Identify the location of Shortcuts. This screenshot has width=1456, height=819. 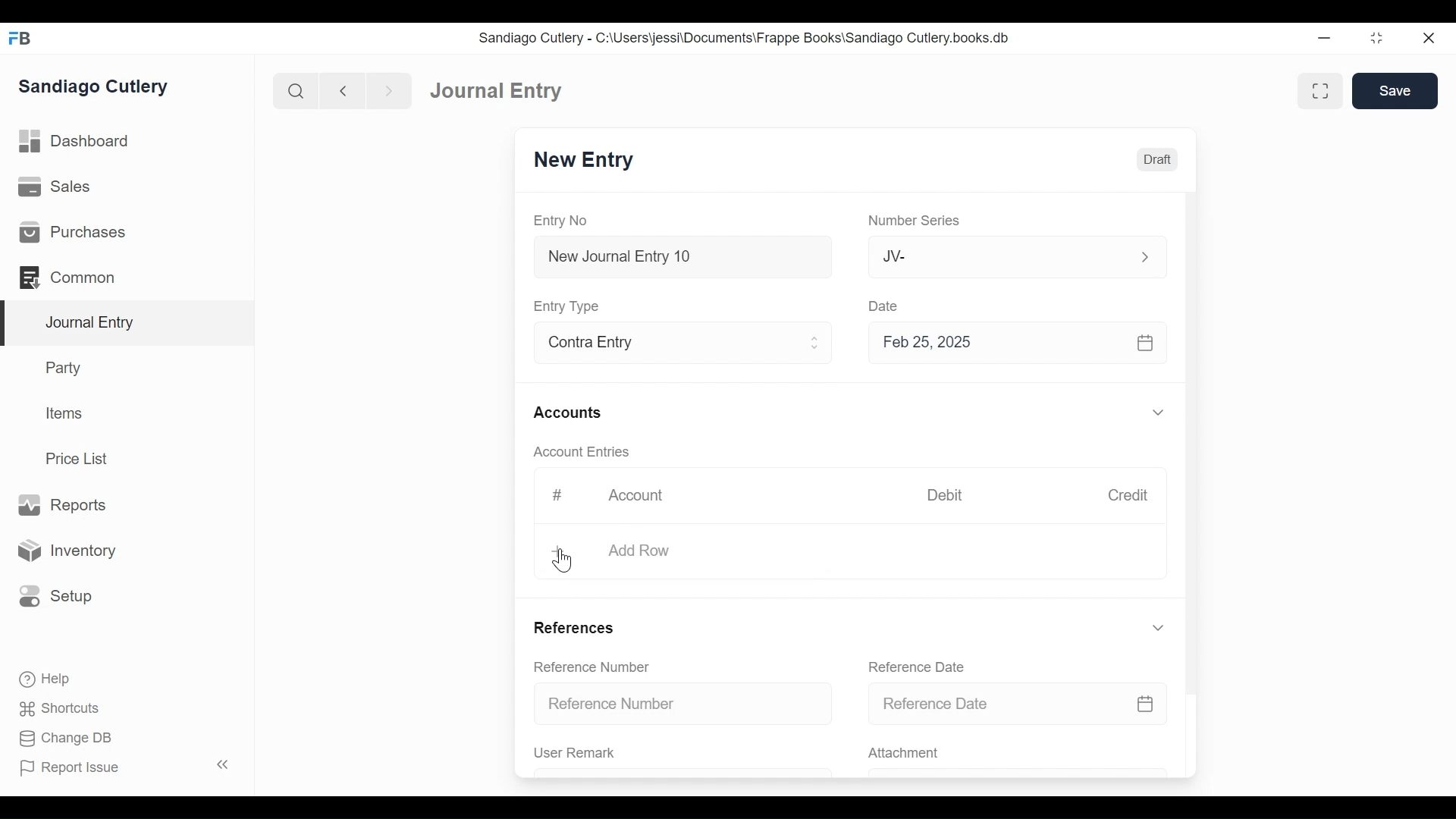
(55, 708).